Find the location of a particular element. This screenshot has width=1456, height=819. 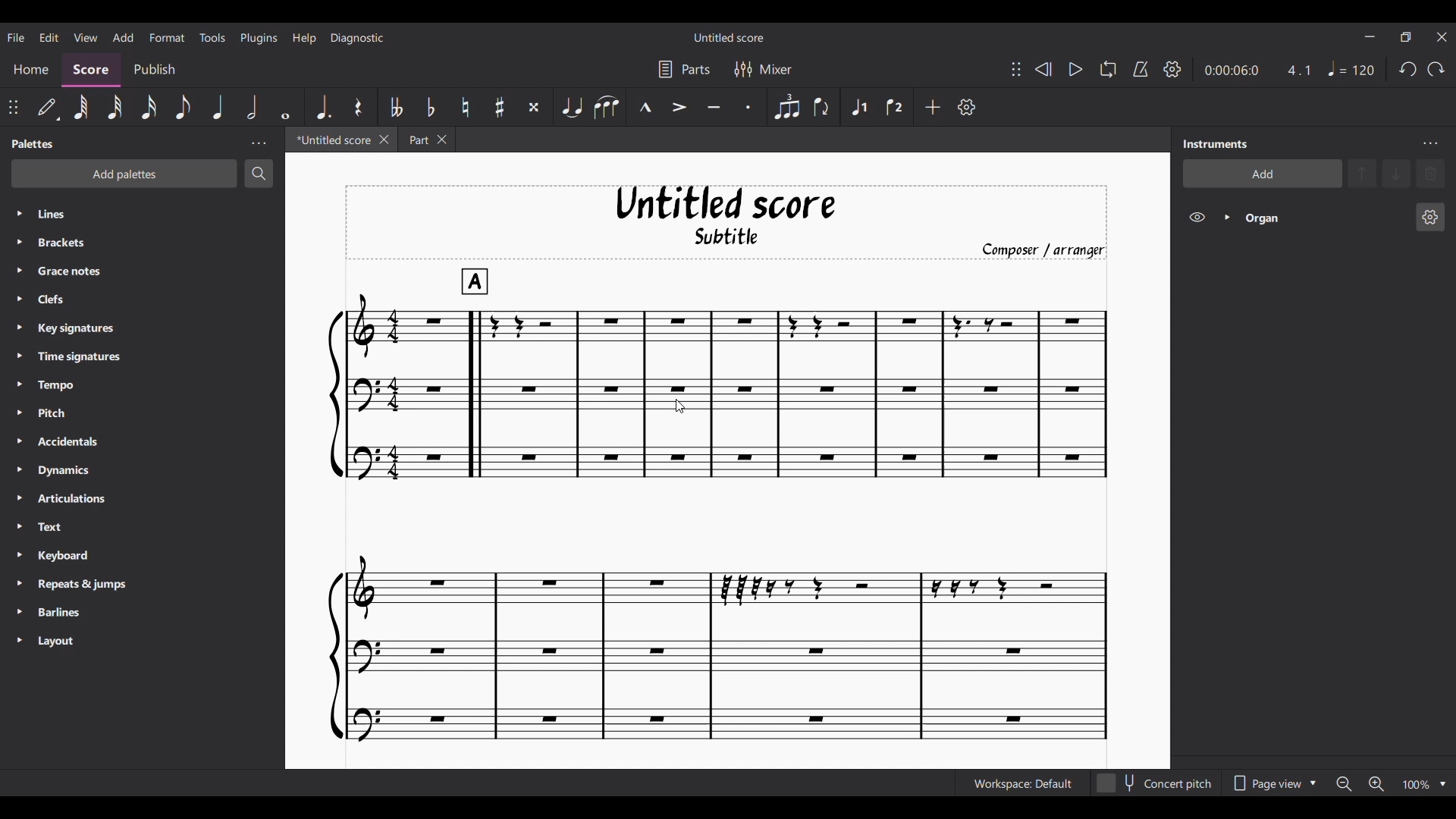

Customize toolbar is located at coordinates (967, 107).